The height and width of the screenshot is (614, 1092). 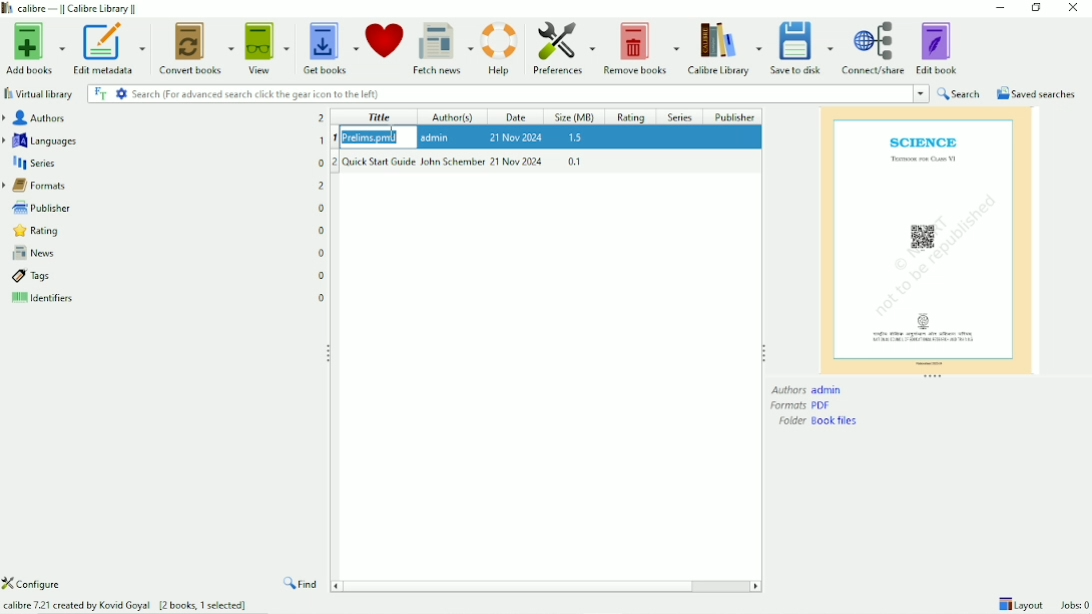 What do you see at coordinates (820, 421) in the screenshot?
I see `Folder` at bounding box center [820, 421].